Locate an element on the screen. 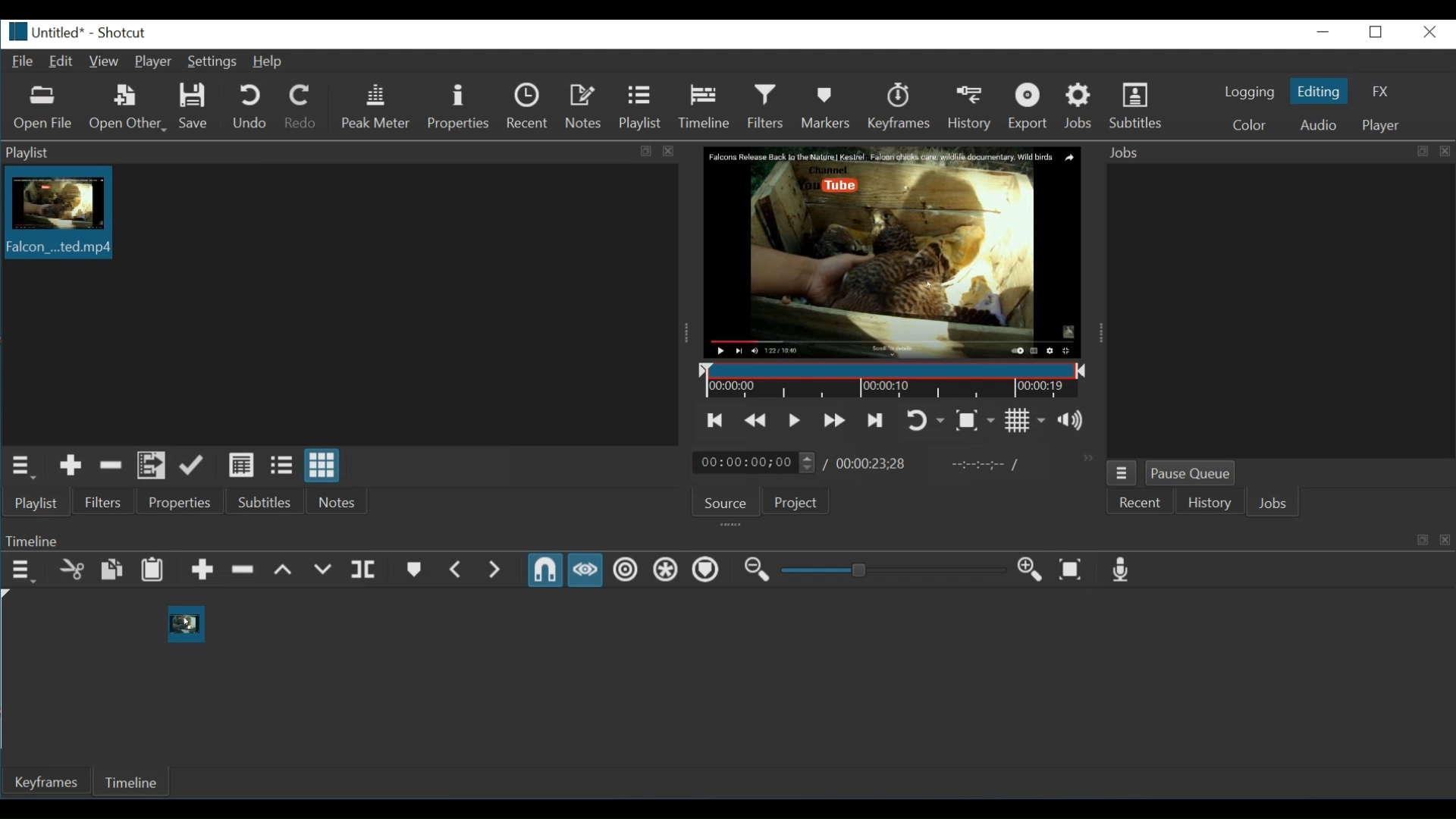  Adjust Zoom timeline is located at coordinates (891, 570).